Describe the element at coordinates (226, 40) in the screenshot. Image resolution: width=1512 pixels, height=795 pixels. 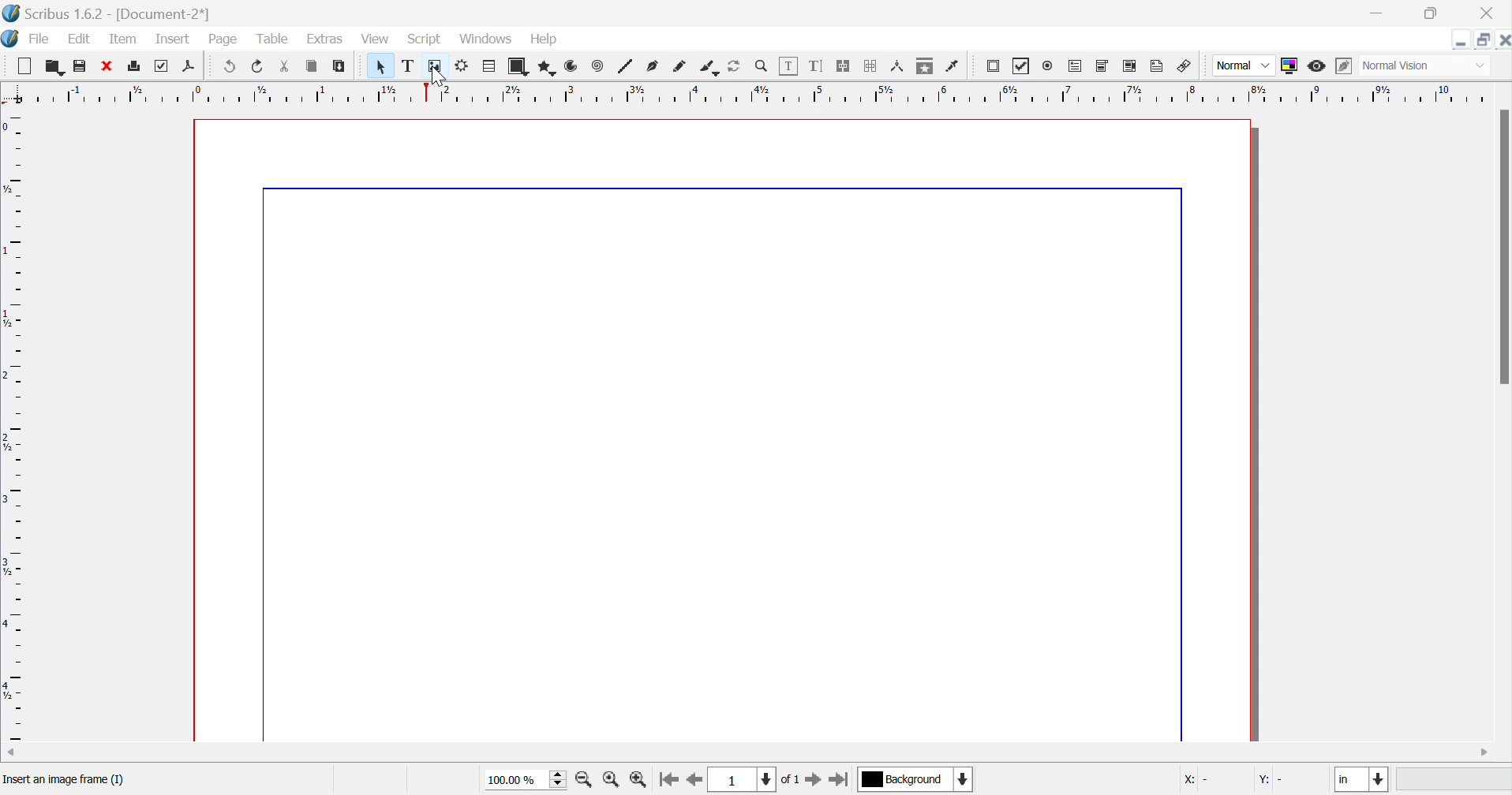
I see `page` at that location.